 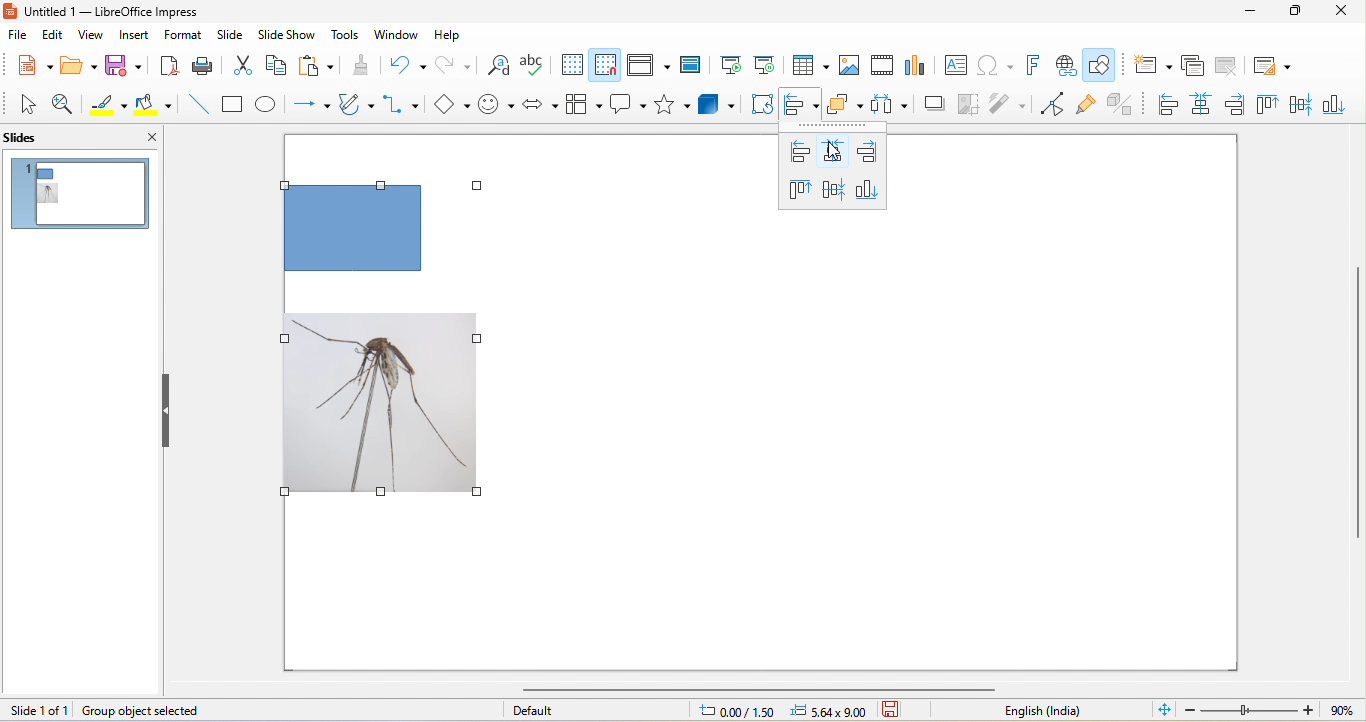 What do you see at coordinates (765, 689) in the screenshot?
I see `horizontal scroll bar` at bounding box center [765, 689].